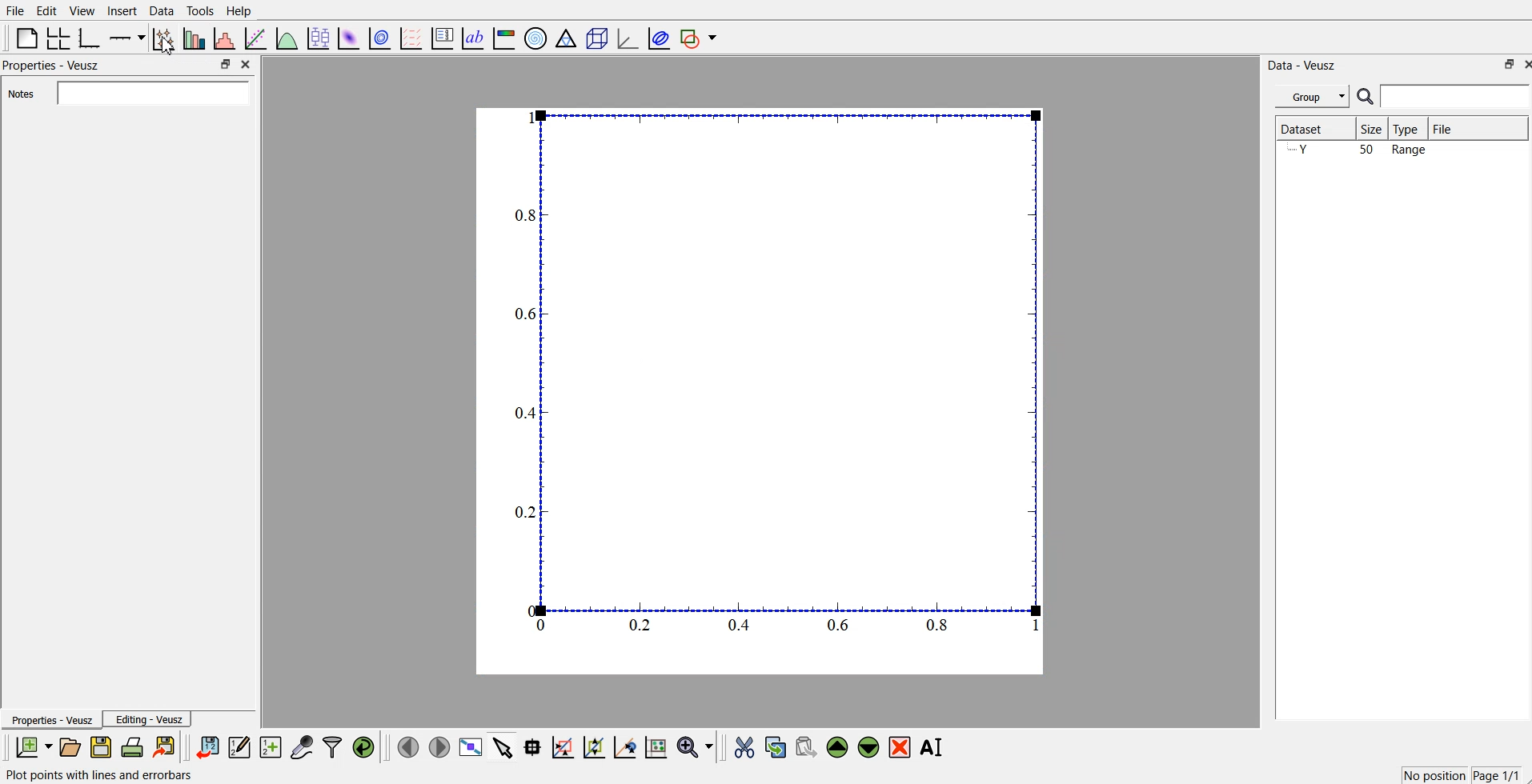  I want to click on reload linked datas, so click(365, 748).